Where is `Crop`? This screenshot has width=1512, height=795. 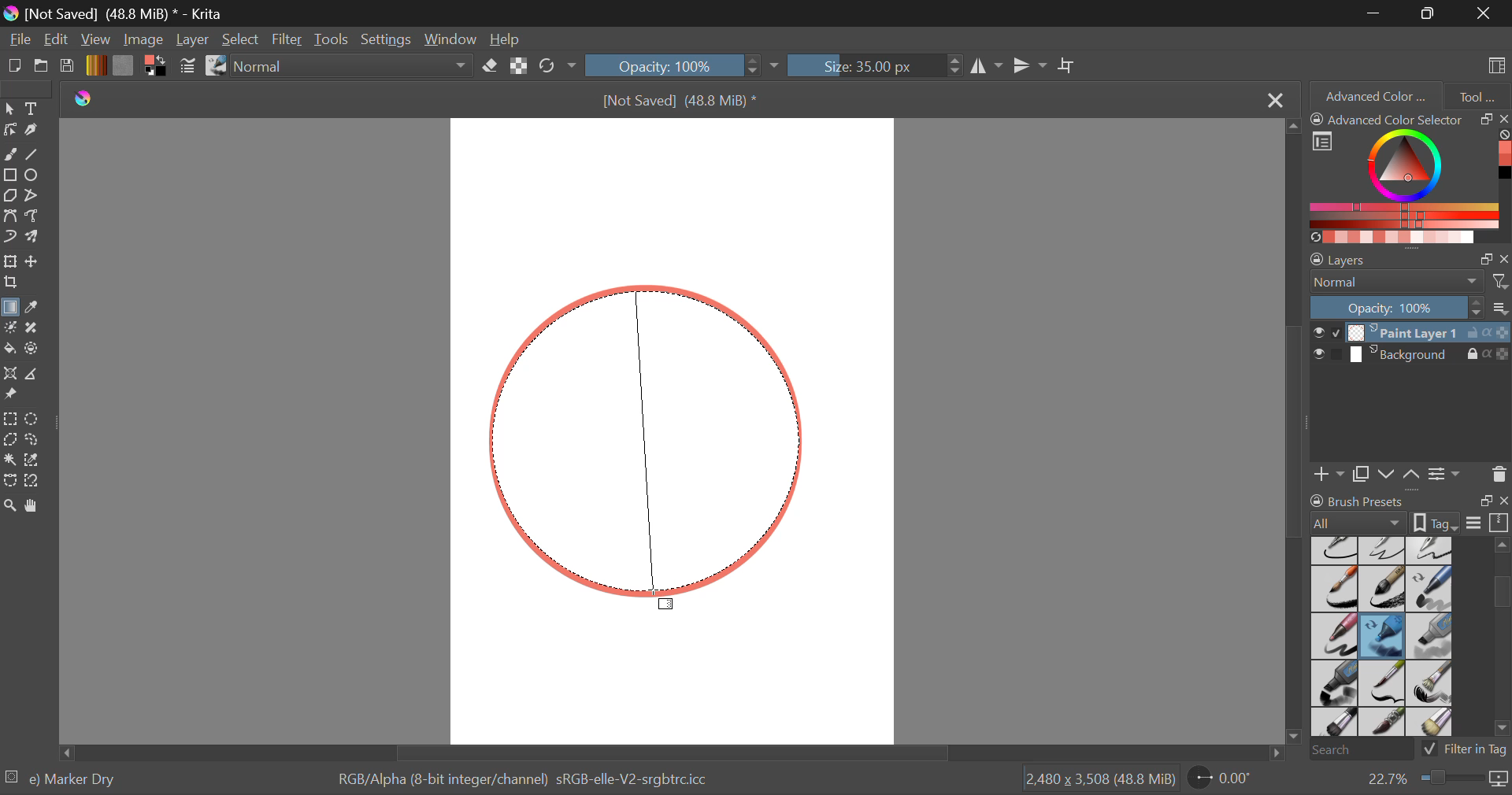 Crop is located at coordinates (1069, 66).